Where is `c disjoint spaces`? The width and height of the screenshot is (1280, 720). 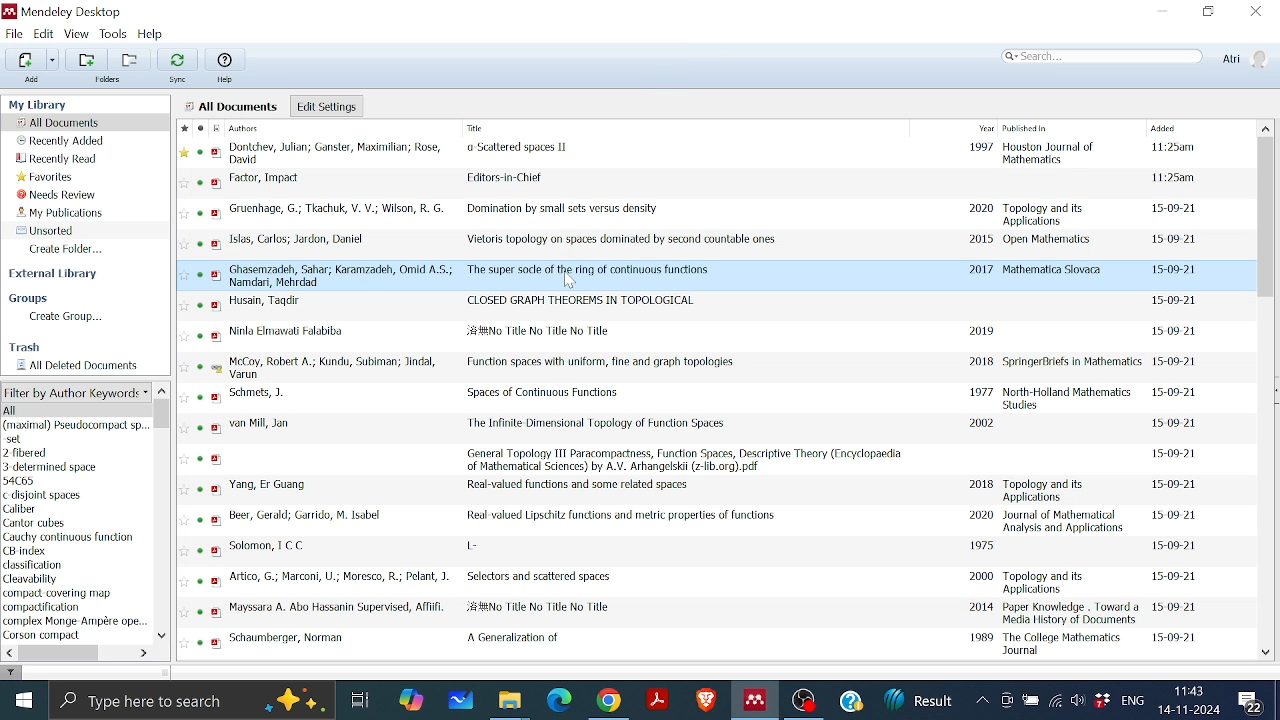
c disjoint spaces is located at coordinates (42, 495).